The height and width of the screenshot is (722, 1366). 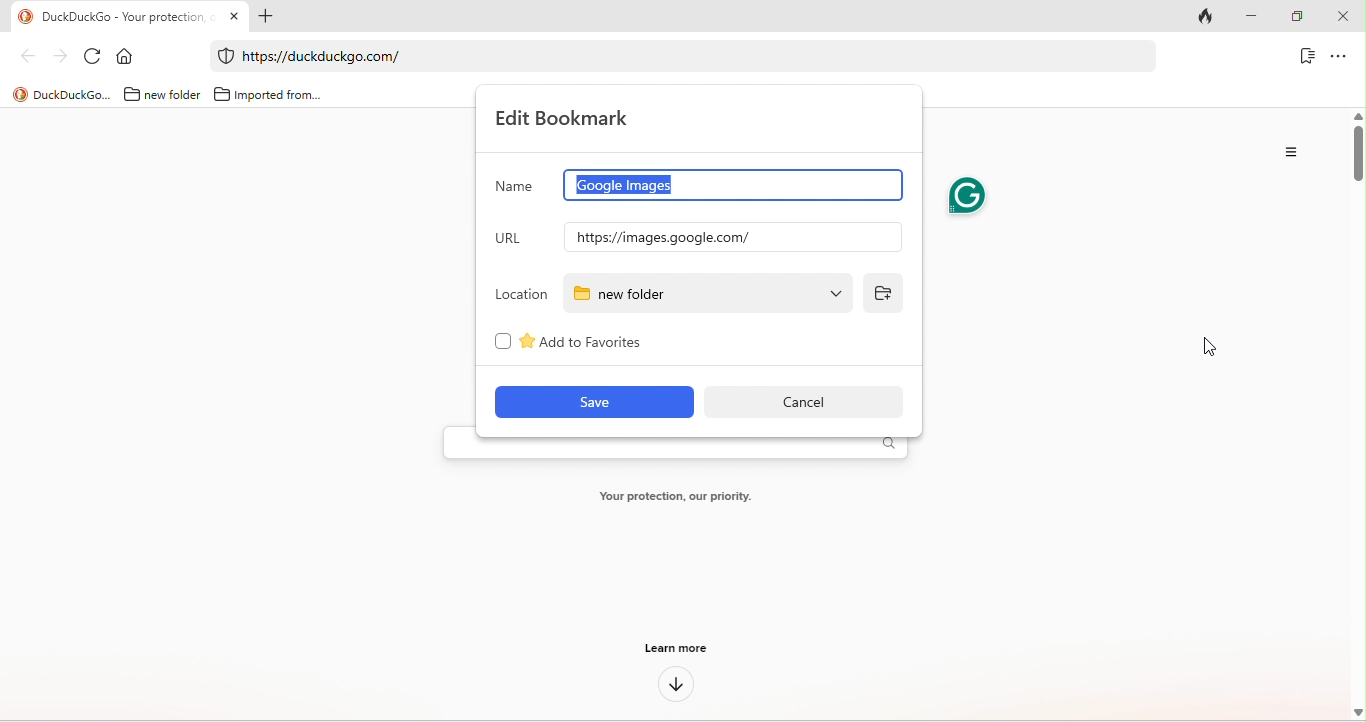 What do you see at coordinates (223, 56) in the screenshot?
I see `duckduckgo protection` at bounding box center [223, 56].